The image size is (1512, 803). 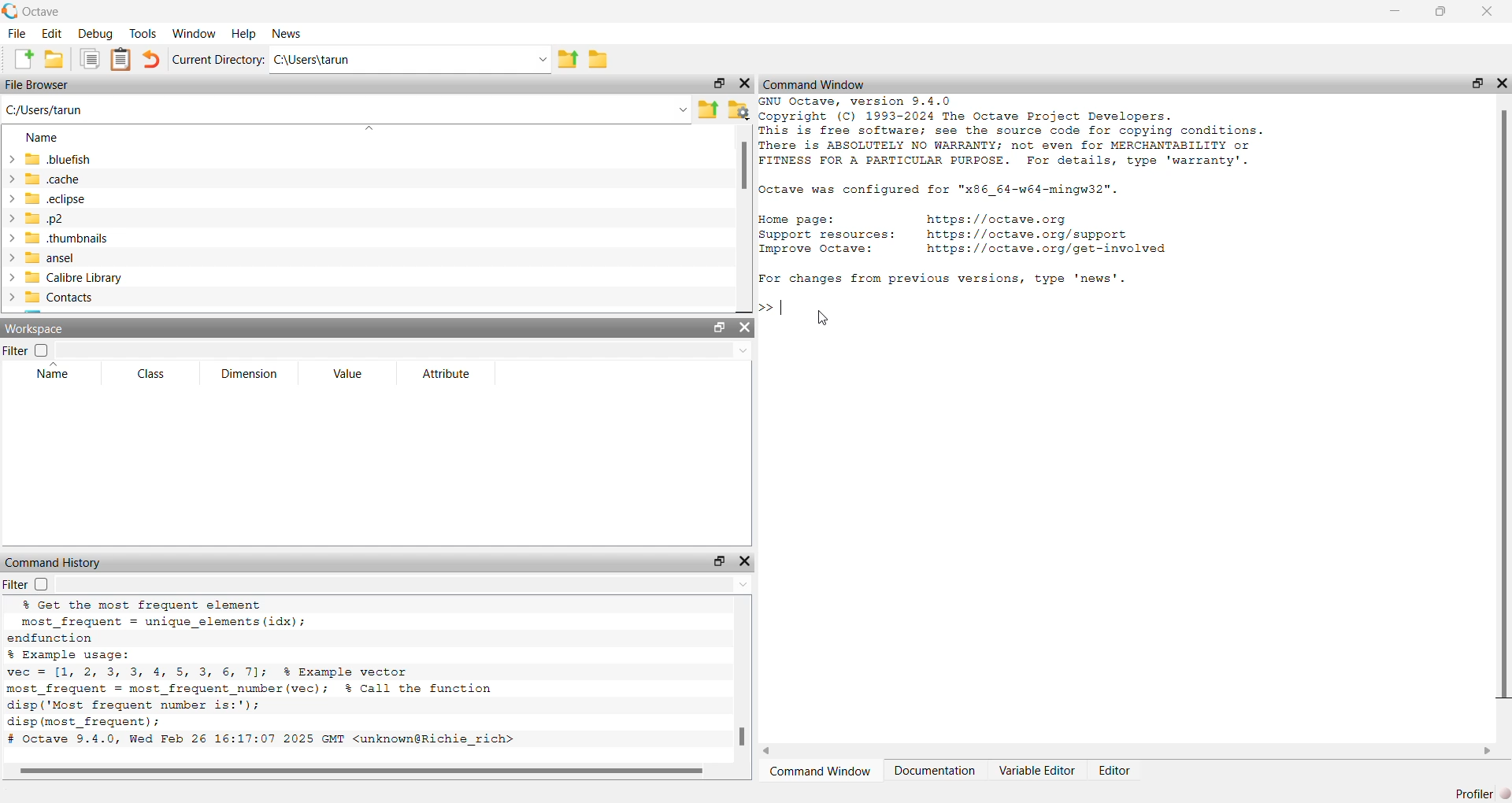 What do you see at coordinates (1503, 420) in the screenshot?
I see `vertical scroll bar` at bounding box center [1503, 420].